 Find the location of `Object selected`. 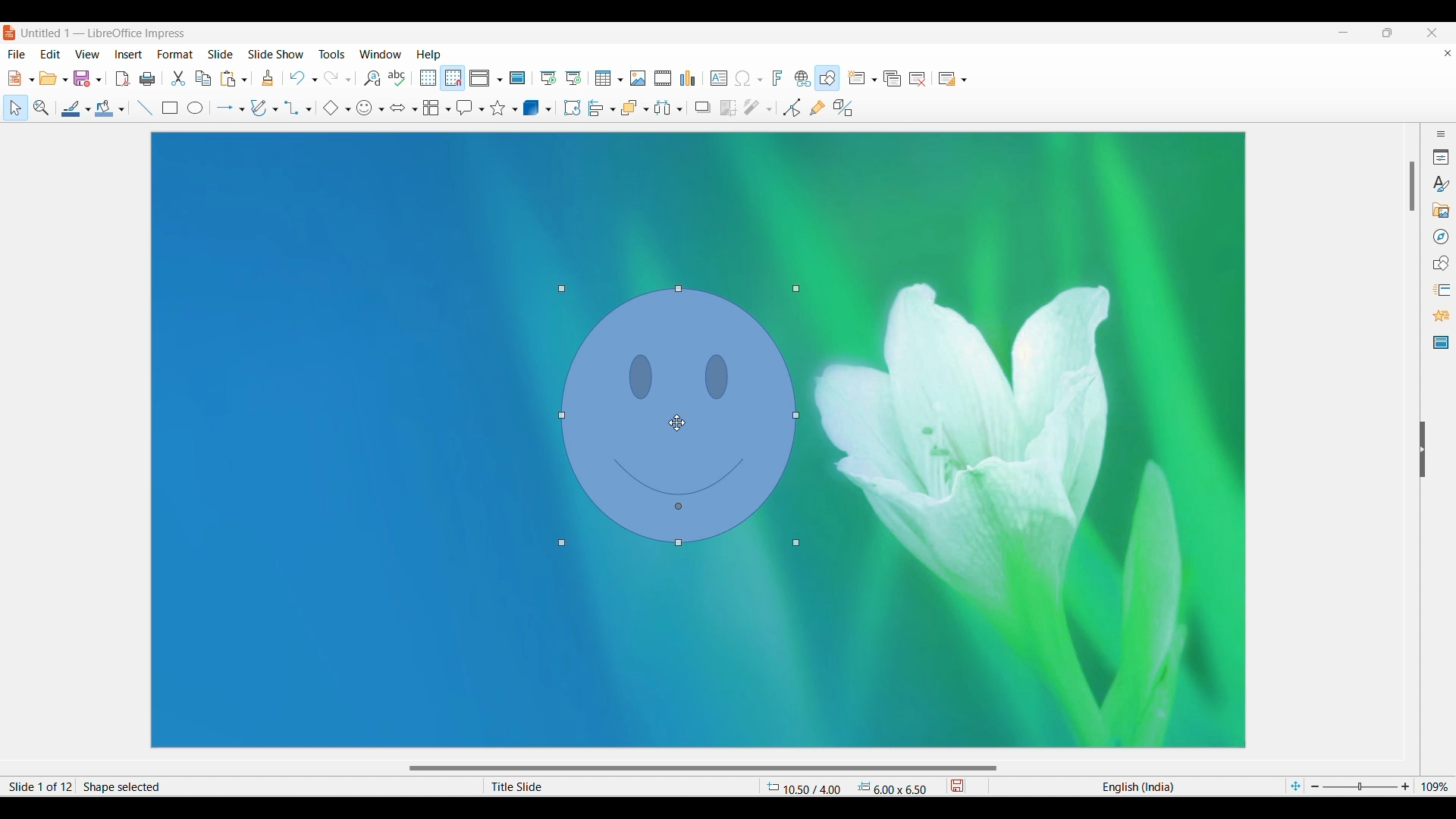

Object selected is located at coordinates (679, 416).